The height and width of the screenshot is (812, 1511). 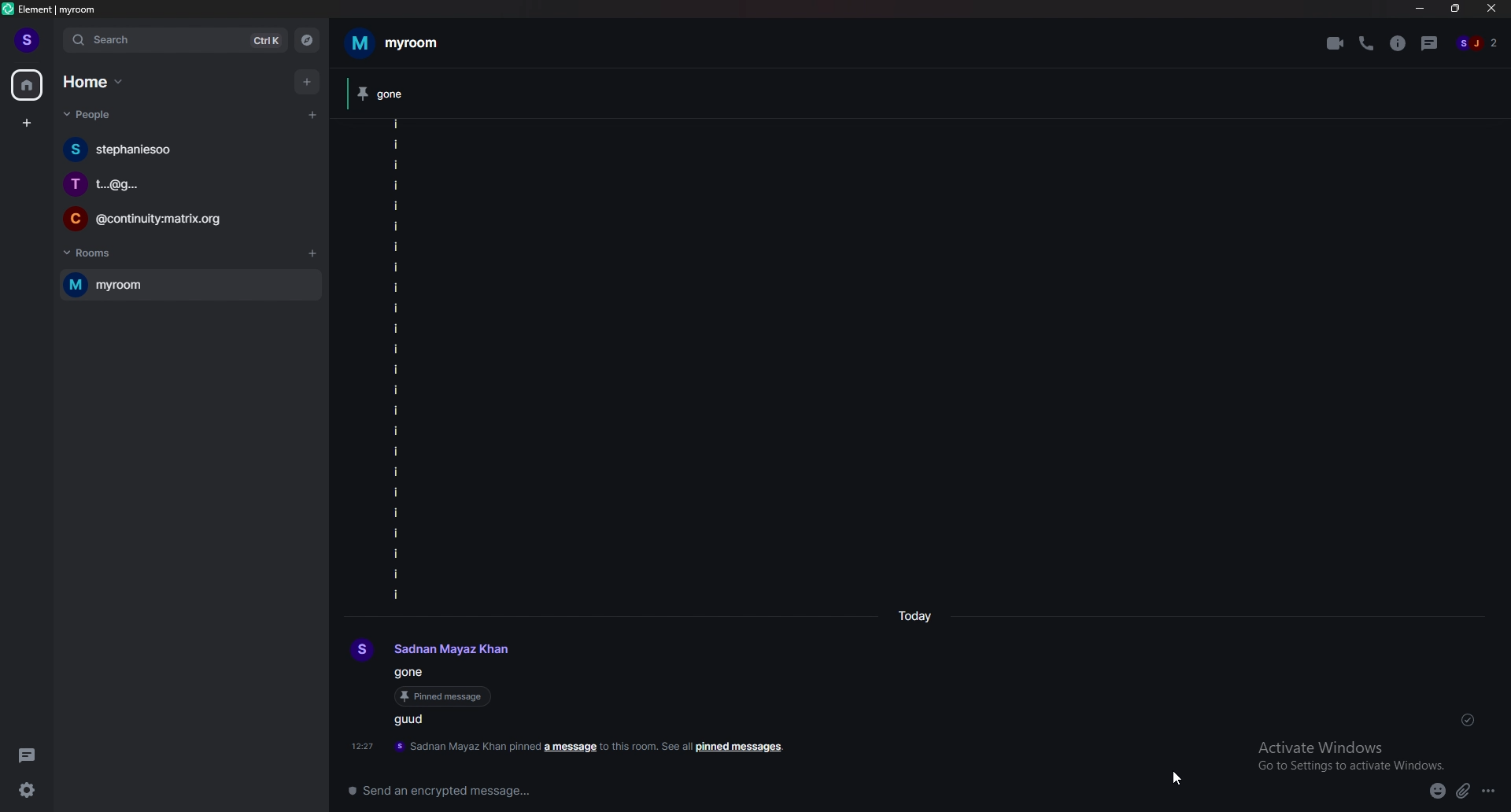 I want to click on home, so click(x=29, y=85).